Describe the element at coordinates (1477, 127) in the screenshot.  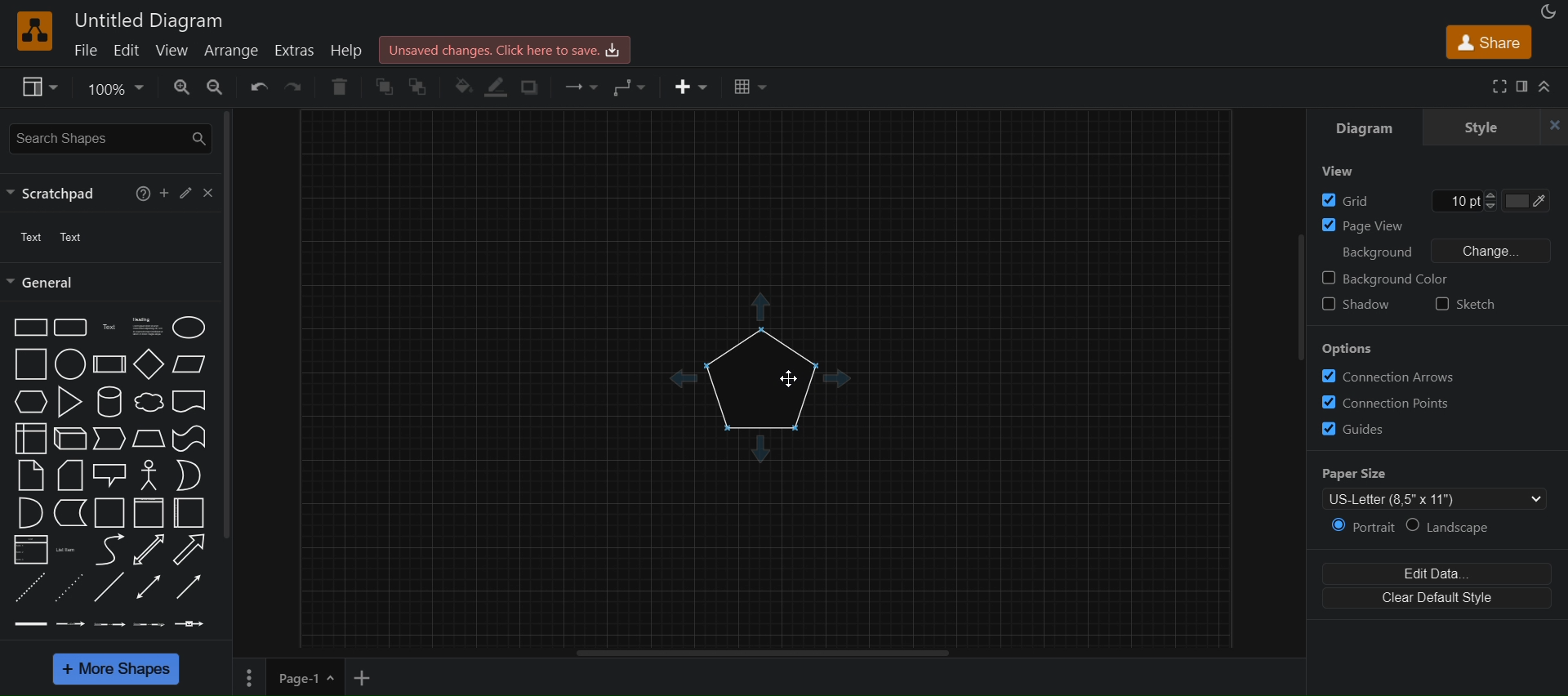
I see `style, current selection` at that location.